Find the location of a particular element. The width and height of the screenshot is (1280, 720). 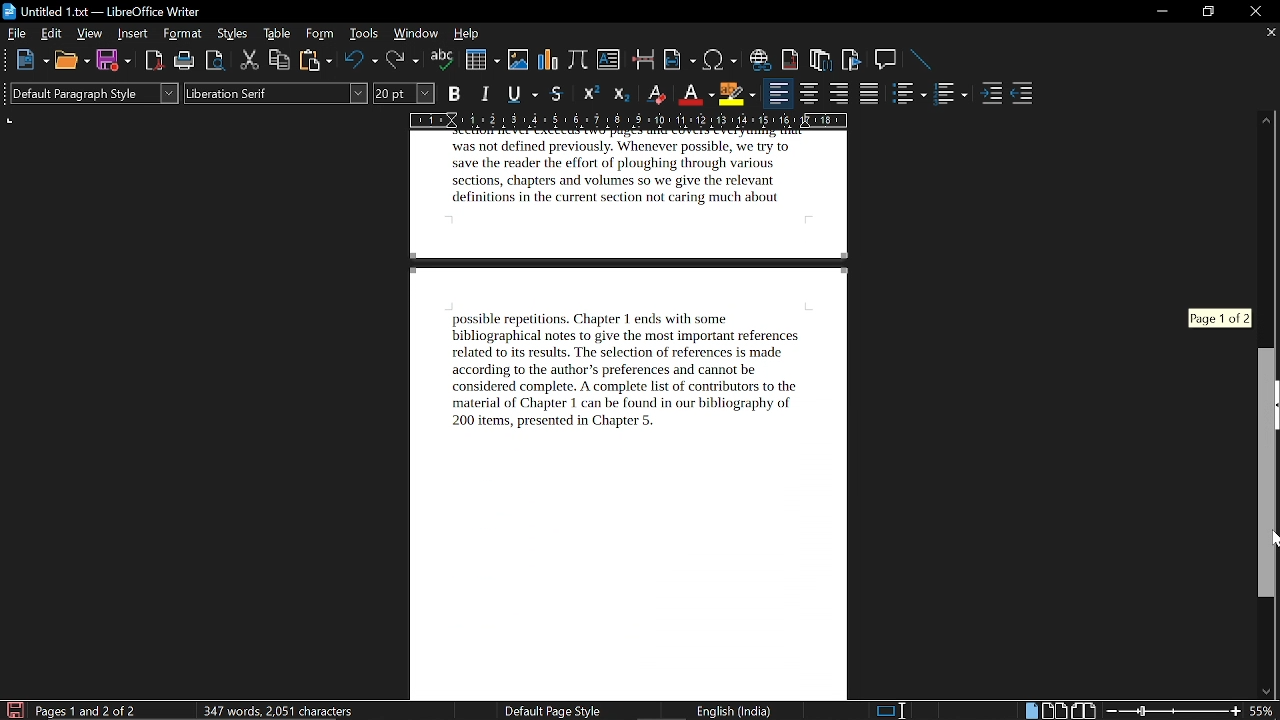

copy is located at coordinates (280, 61).